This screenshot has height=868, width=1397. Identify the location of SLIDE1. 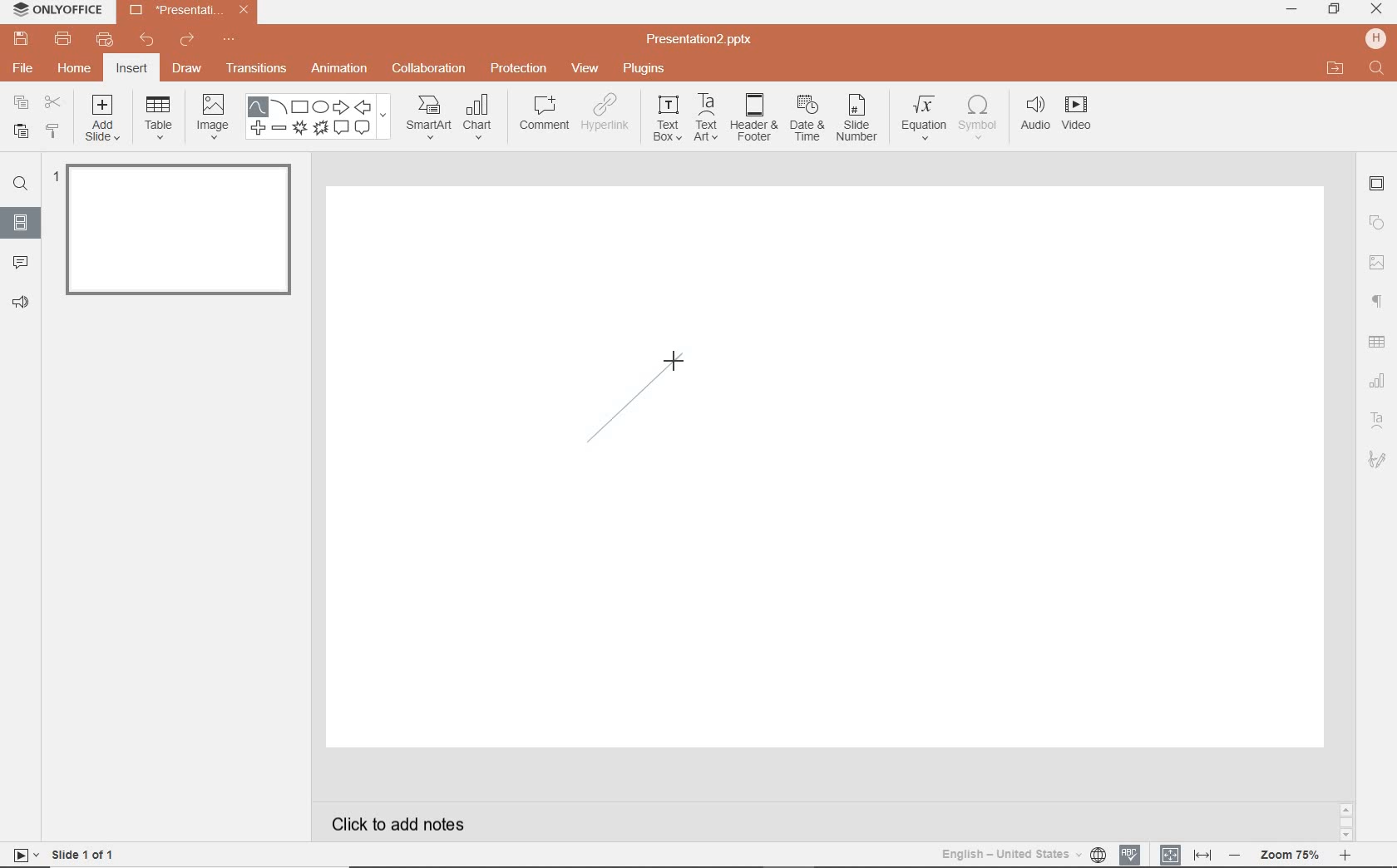
(175, 235).